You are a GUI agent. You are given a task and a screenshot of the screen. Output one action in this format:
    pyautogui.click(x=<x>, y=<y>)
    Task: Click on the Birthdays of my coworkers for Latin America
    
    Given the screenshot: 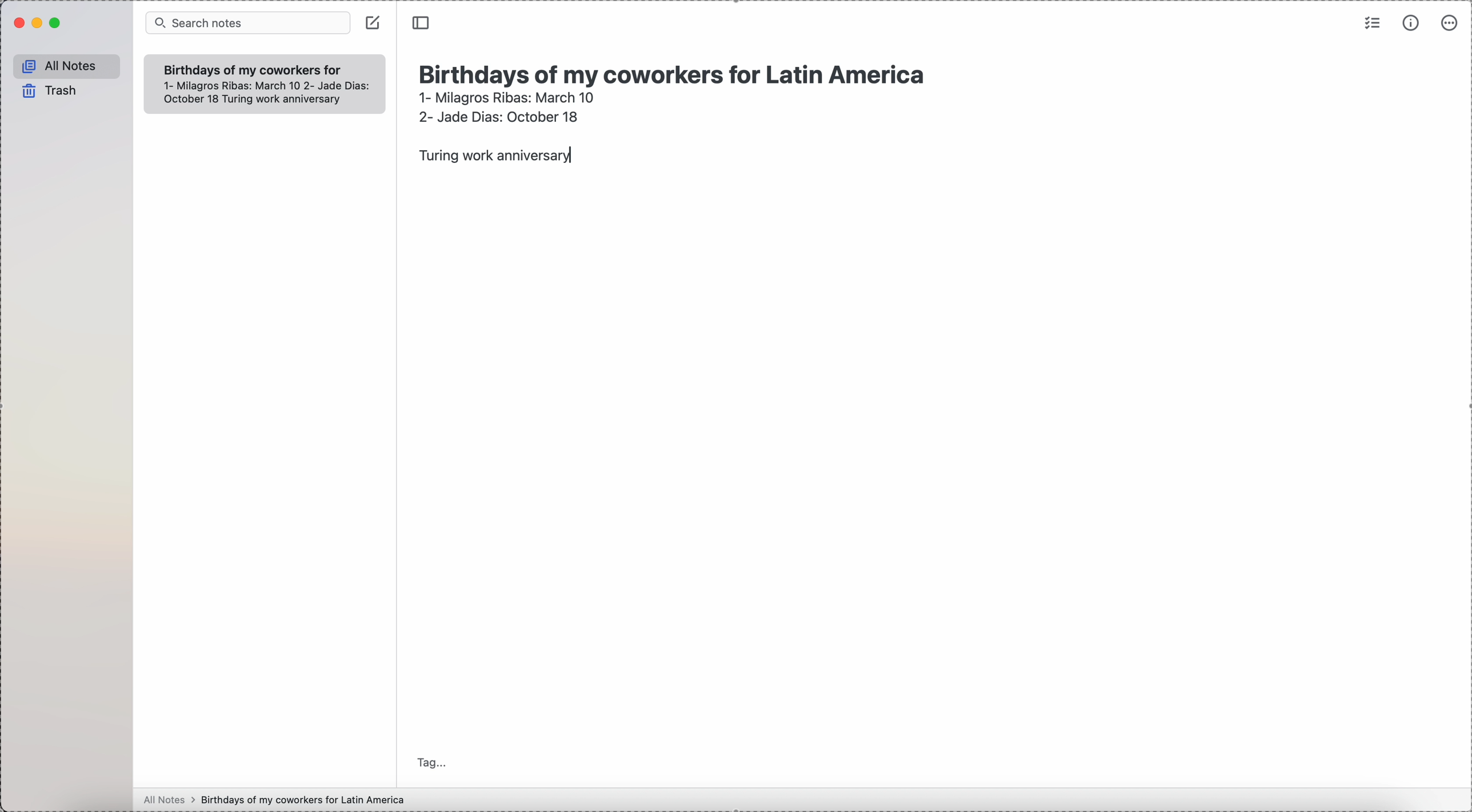 What is the action you would take?
    pyautogui.click(x=251, y=69)
    